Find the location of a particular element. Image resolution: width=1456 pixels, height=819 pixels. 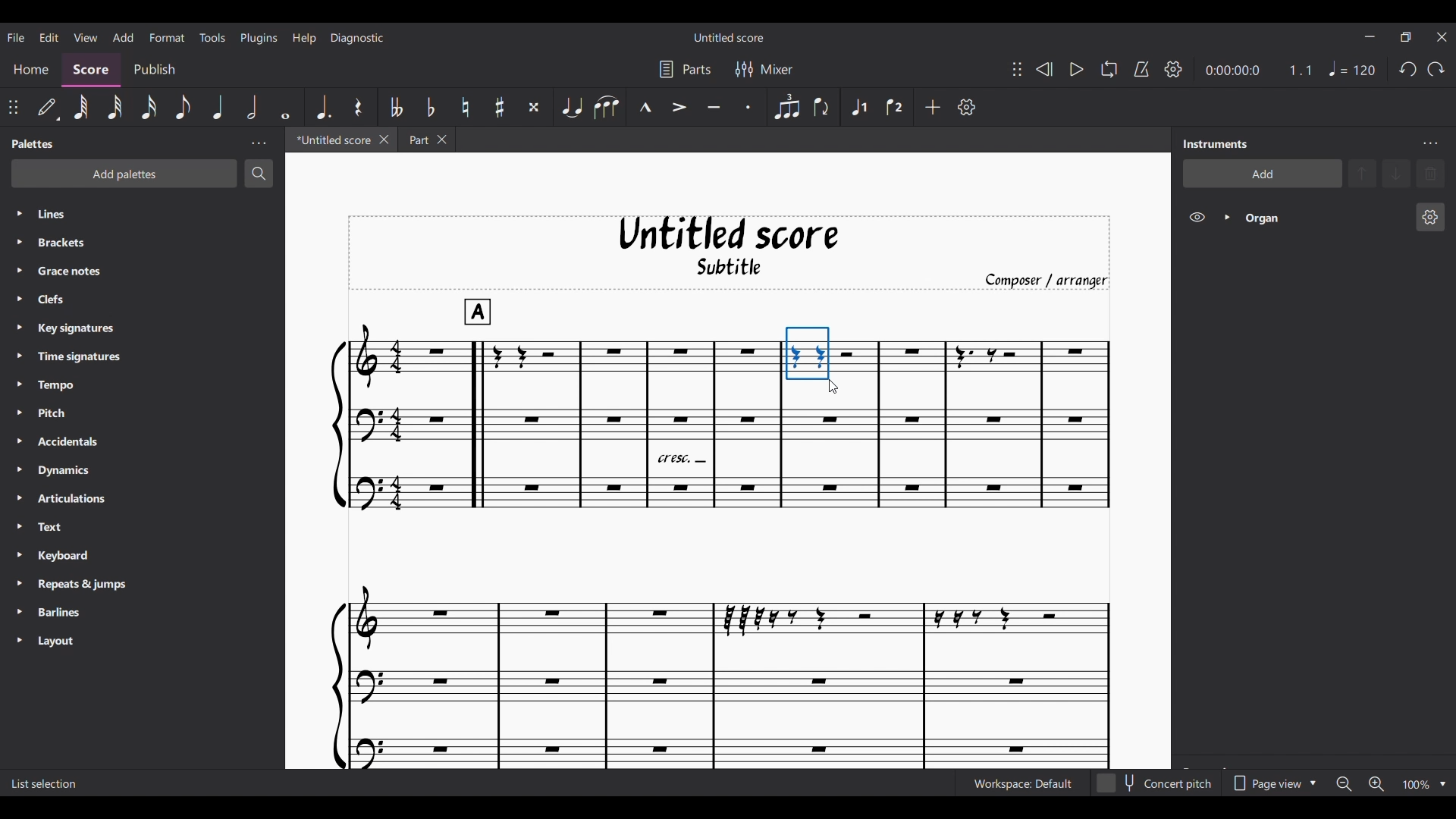

Hide Organ on score is located at coordinates (1197, 217).